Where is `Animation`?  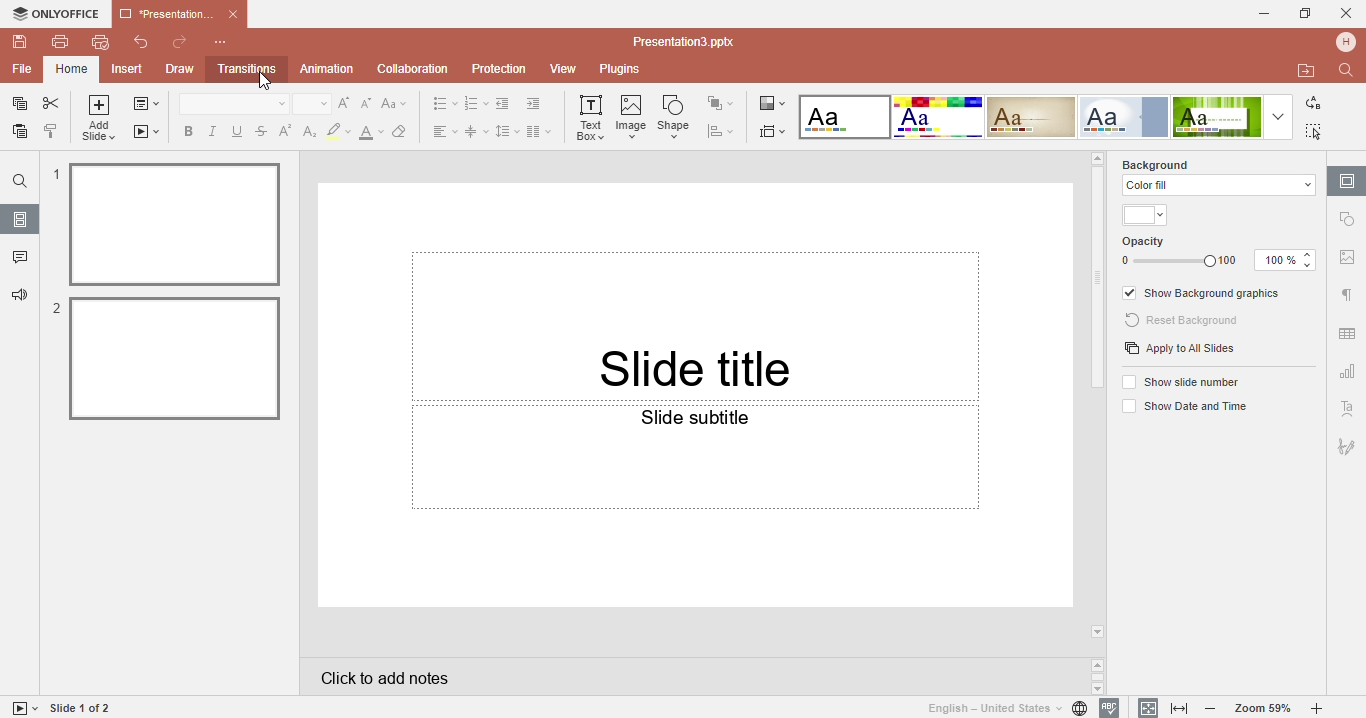 Animation is located at coordinates (327, 68).